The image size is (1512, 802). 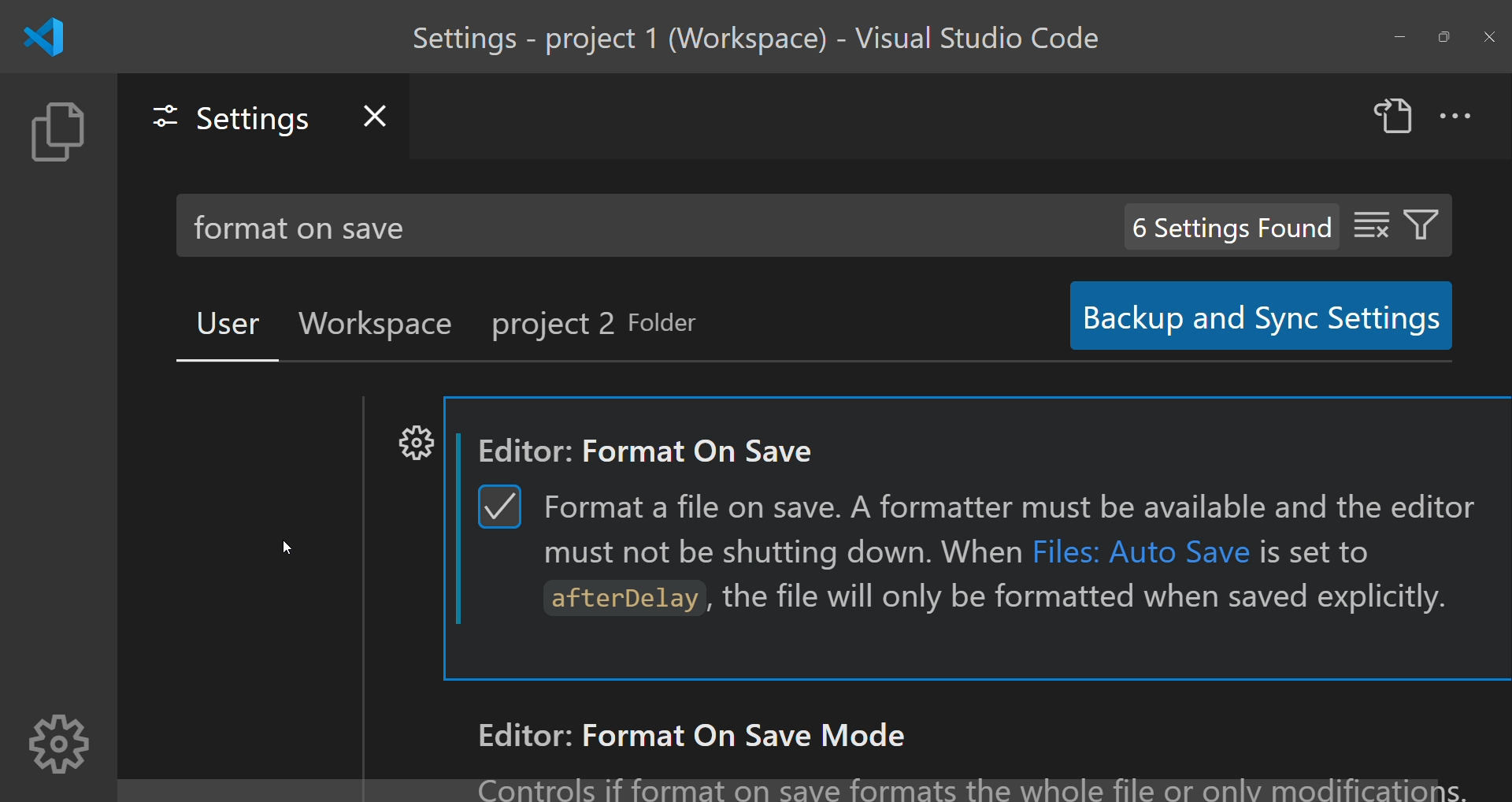 I want to click on close, so click(x=1491, y=45).